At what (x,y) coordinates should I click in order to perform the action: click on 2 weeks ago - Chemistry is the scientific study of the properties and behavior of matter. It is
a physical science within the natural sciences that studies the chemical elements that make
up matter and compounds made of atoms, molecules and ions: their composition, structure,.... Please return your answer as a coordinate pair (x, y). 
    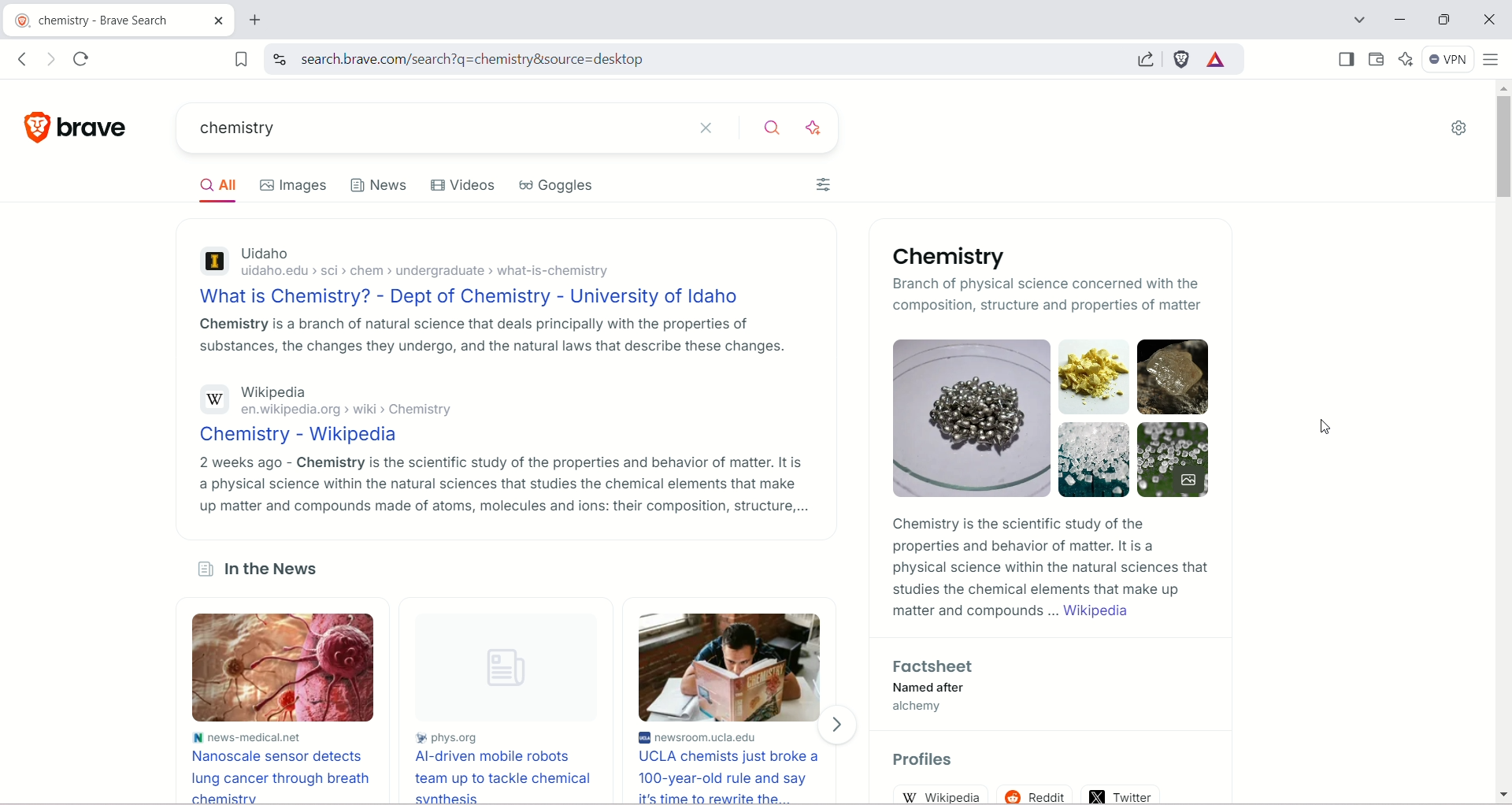
    Looking at the image, I should click on (499, 487).